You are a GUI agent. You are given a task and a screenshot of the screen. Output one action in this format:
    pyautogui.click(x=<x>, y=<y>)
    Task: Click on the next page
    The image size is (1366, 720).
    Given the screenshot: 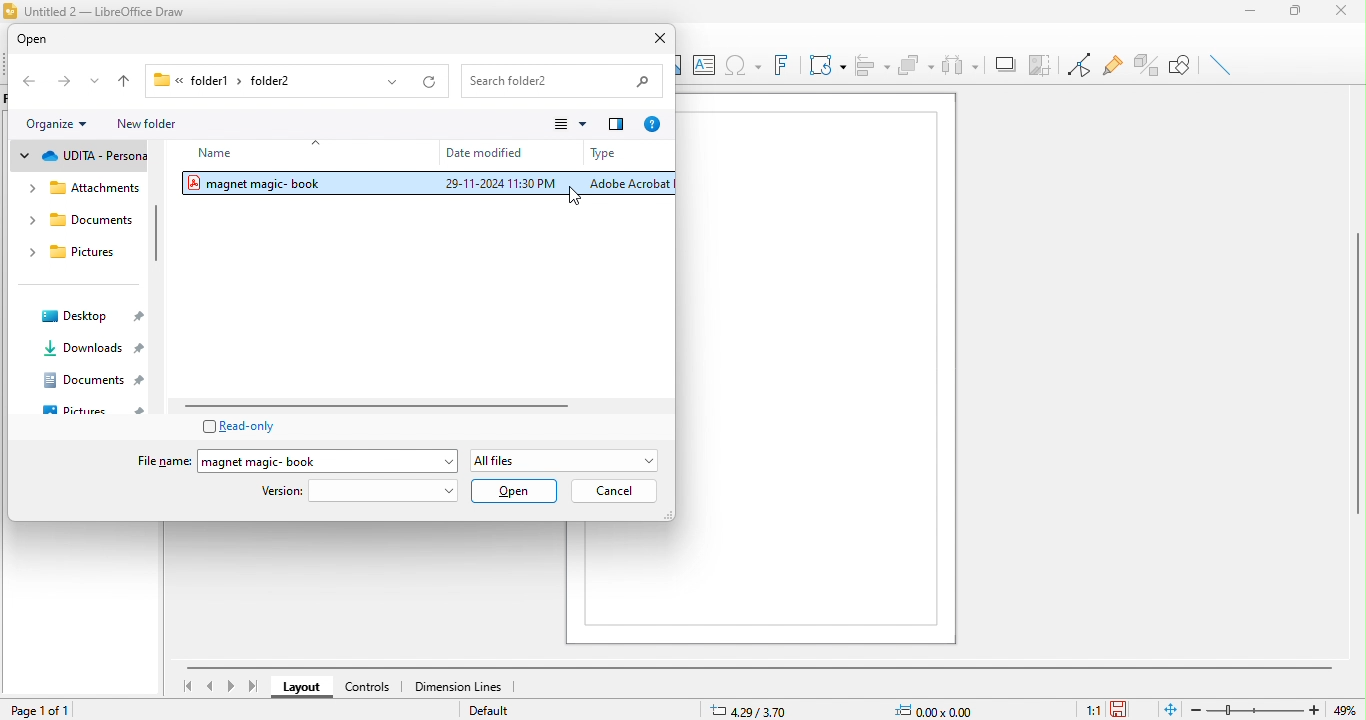 What is the action you would take?
    pyautogui.click(x=231, y=687)
    